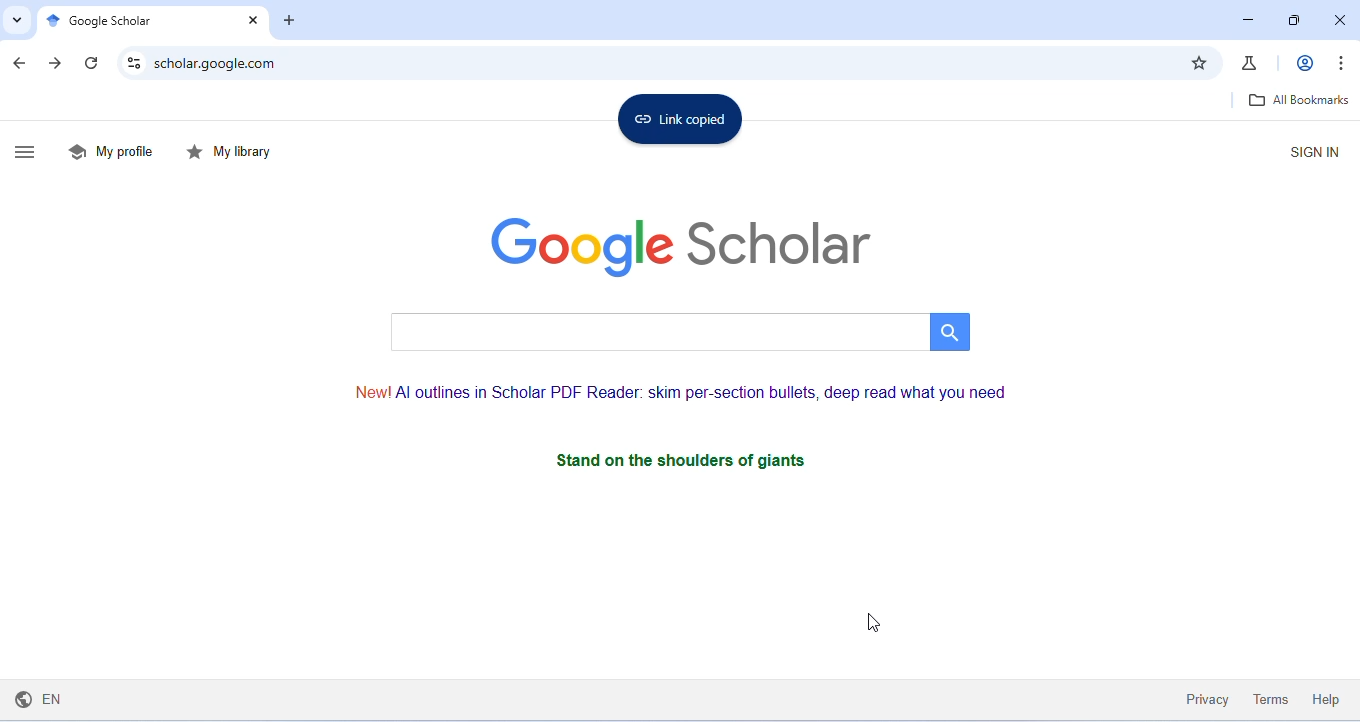 The height and width of the screenshot is (722, 1360). I want to click on help, so click(1323, 699).